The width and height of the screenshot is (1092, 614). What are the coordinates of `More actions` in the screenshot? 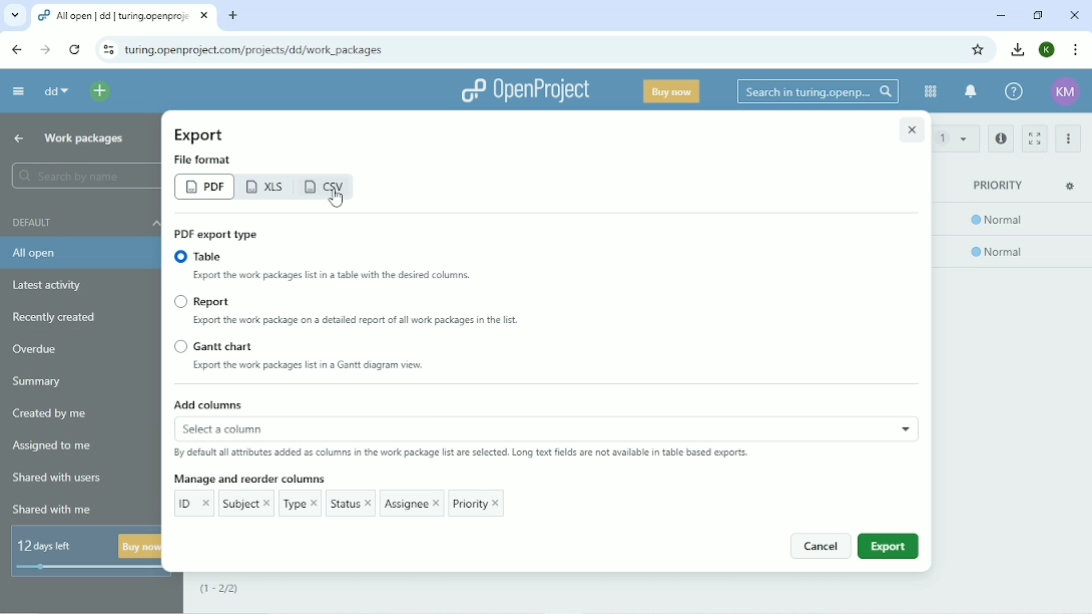 It's located at (1068, 140).